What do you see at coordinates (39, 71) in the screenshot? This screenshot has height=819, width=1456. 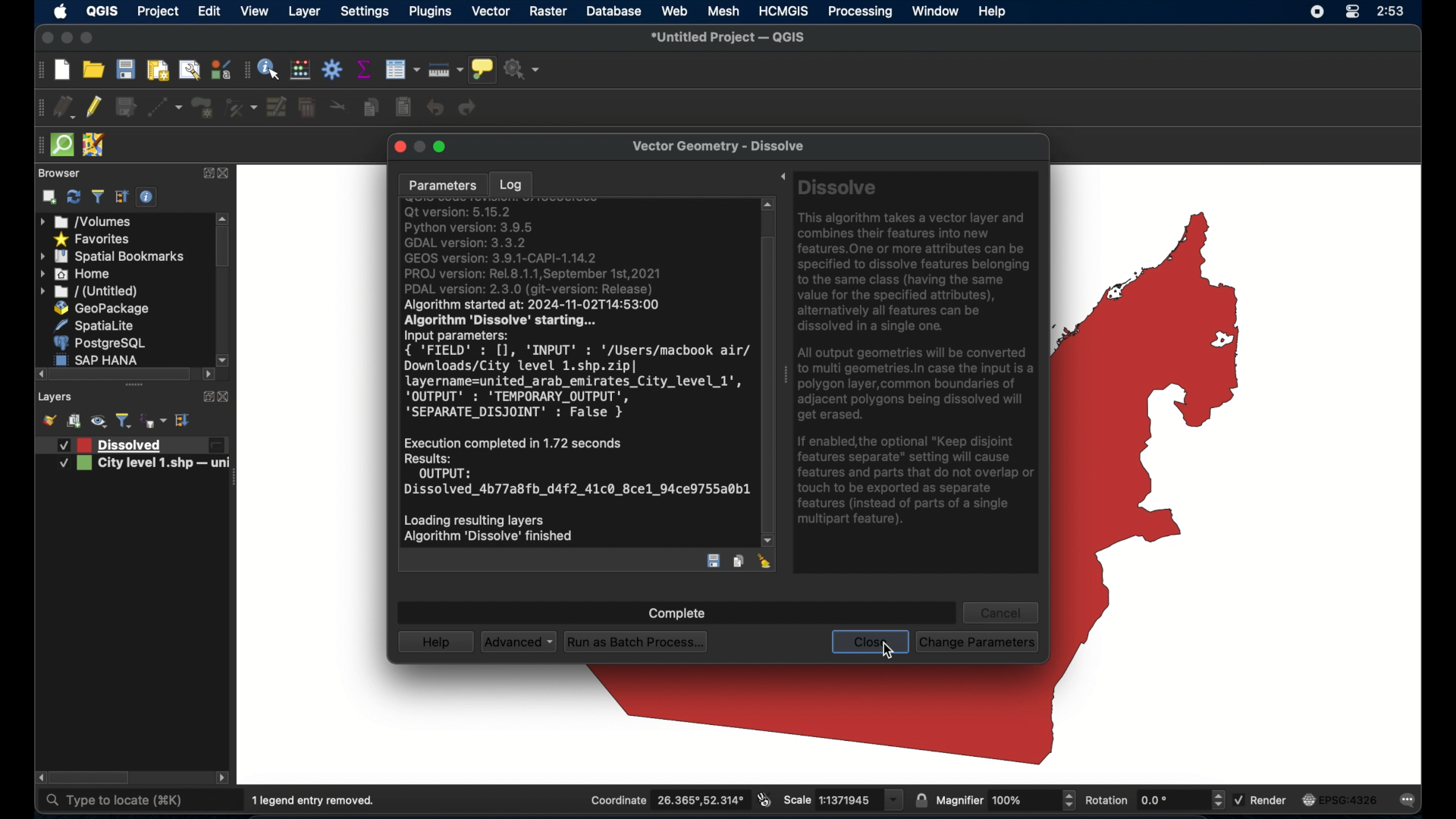 I see `project toolbar` at bounding box center [39, 71].